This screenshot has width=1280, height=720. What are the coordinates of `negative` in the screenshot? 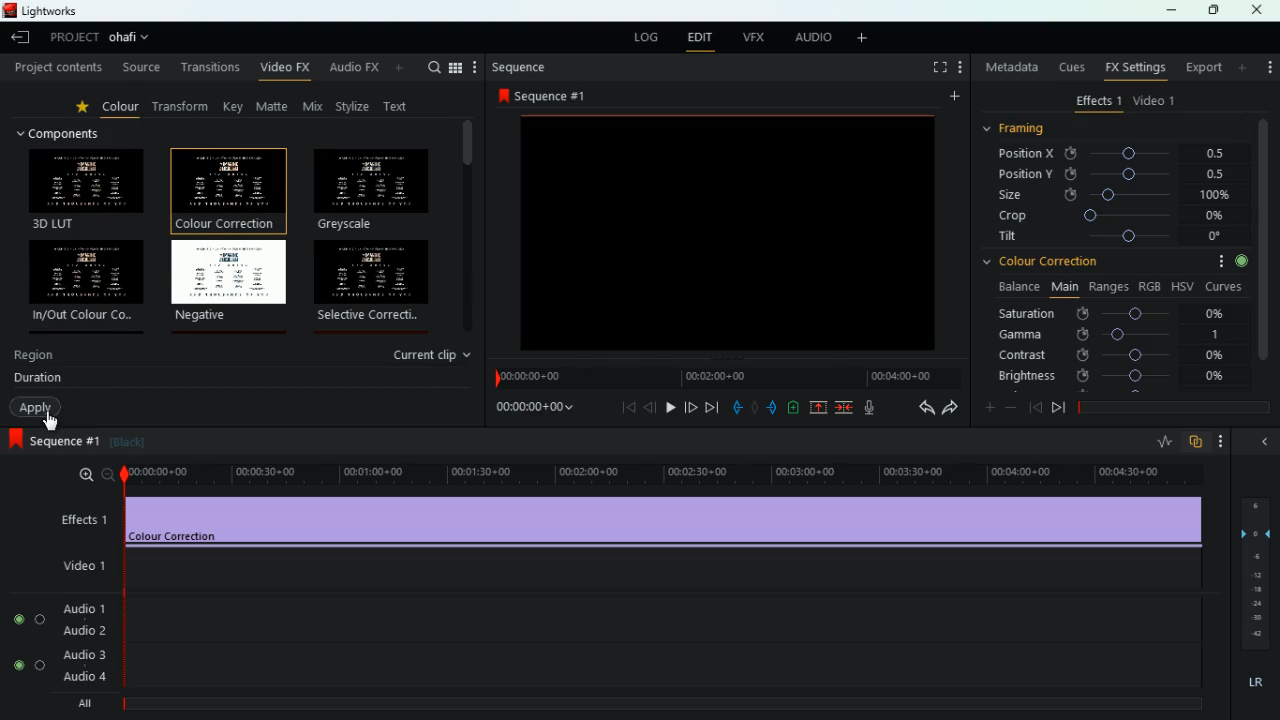 It's located at (229, 282).